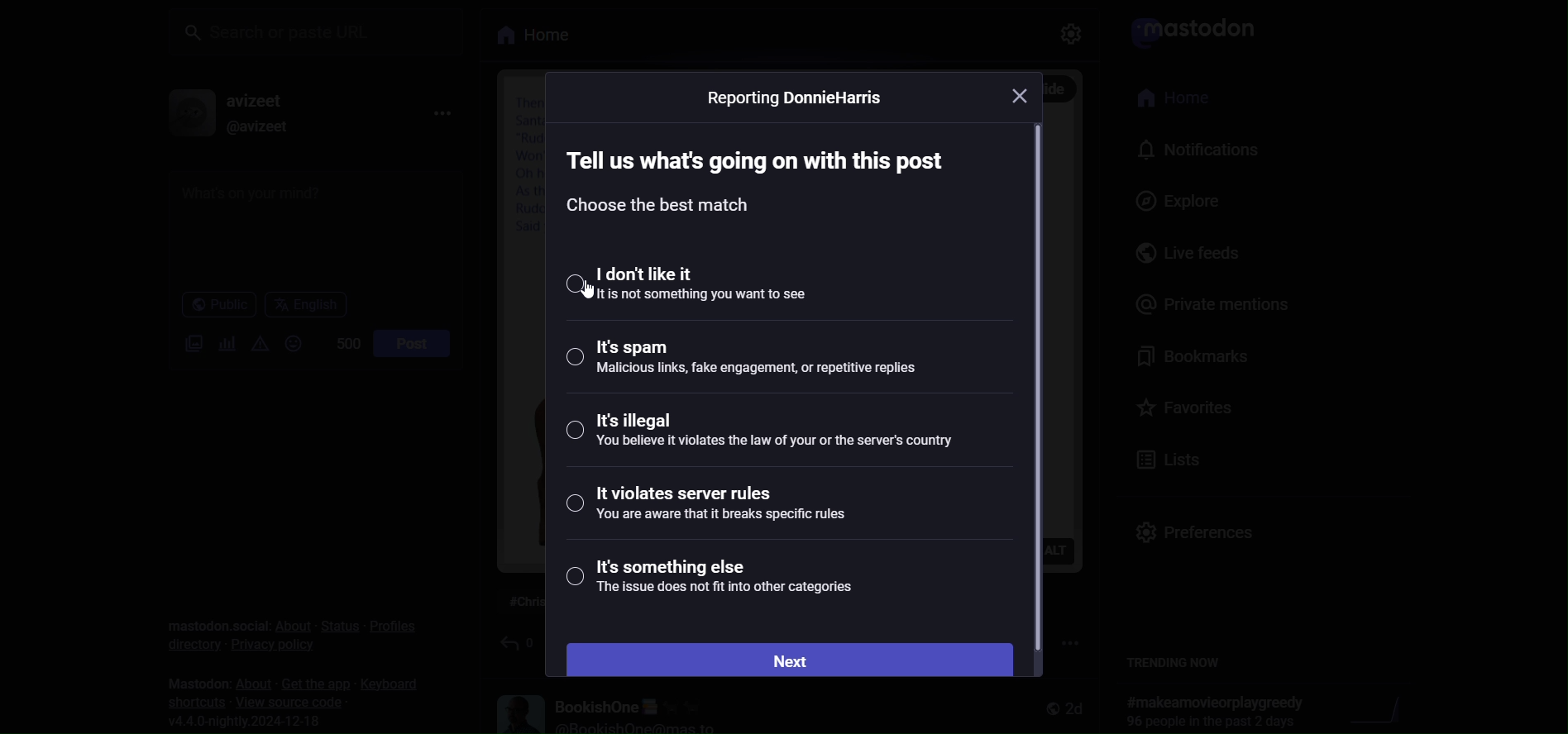 This screenshot has width=1568, height=734. What do you see at coordinates (1187, 356) in the screenshot?
I see `bookmark` at bounding box center [1187, 356].